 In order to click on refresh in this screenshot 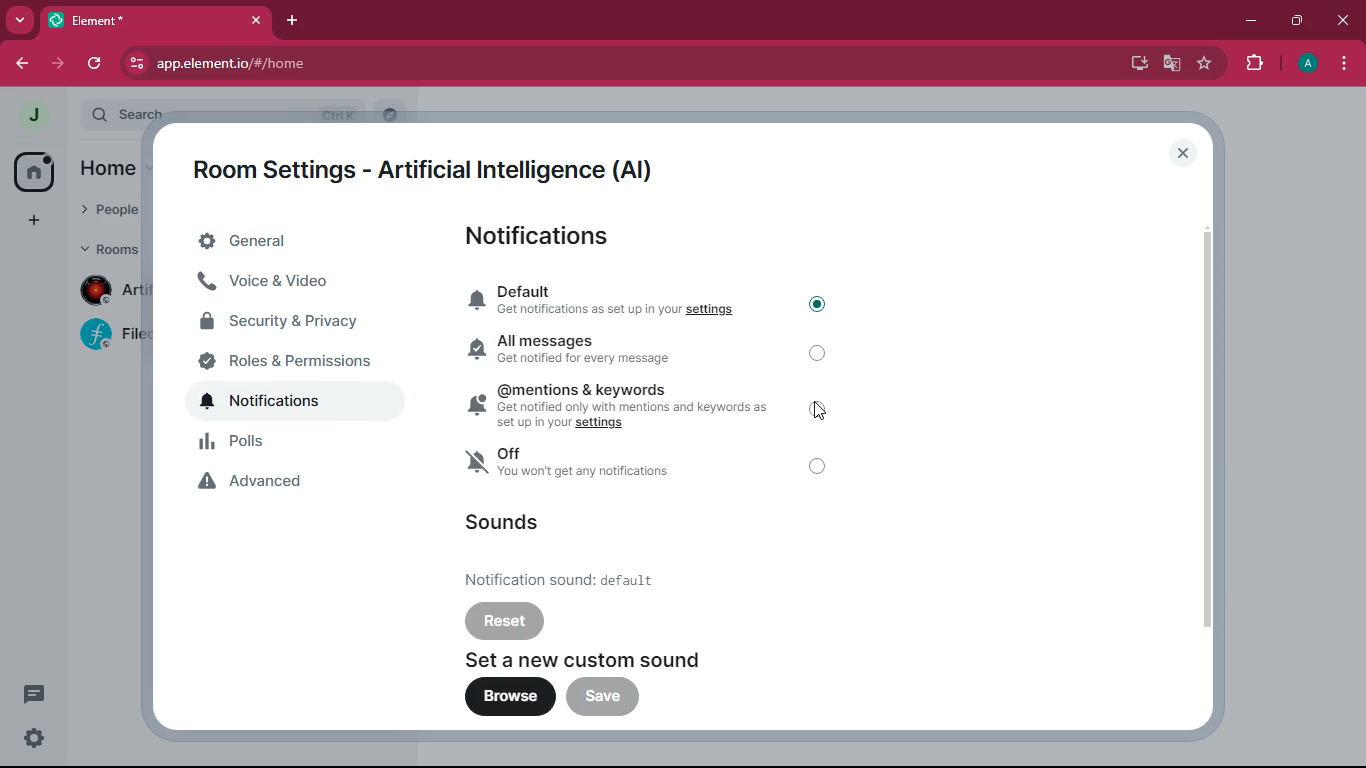, I will do `click(96, 64)`.